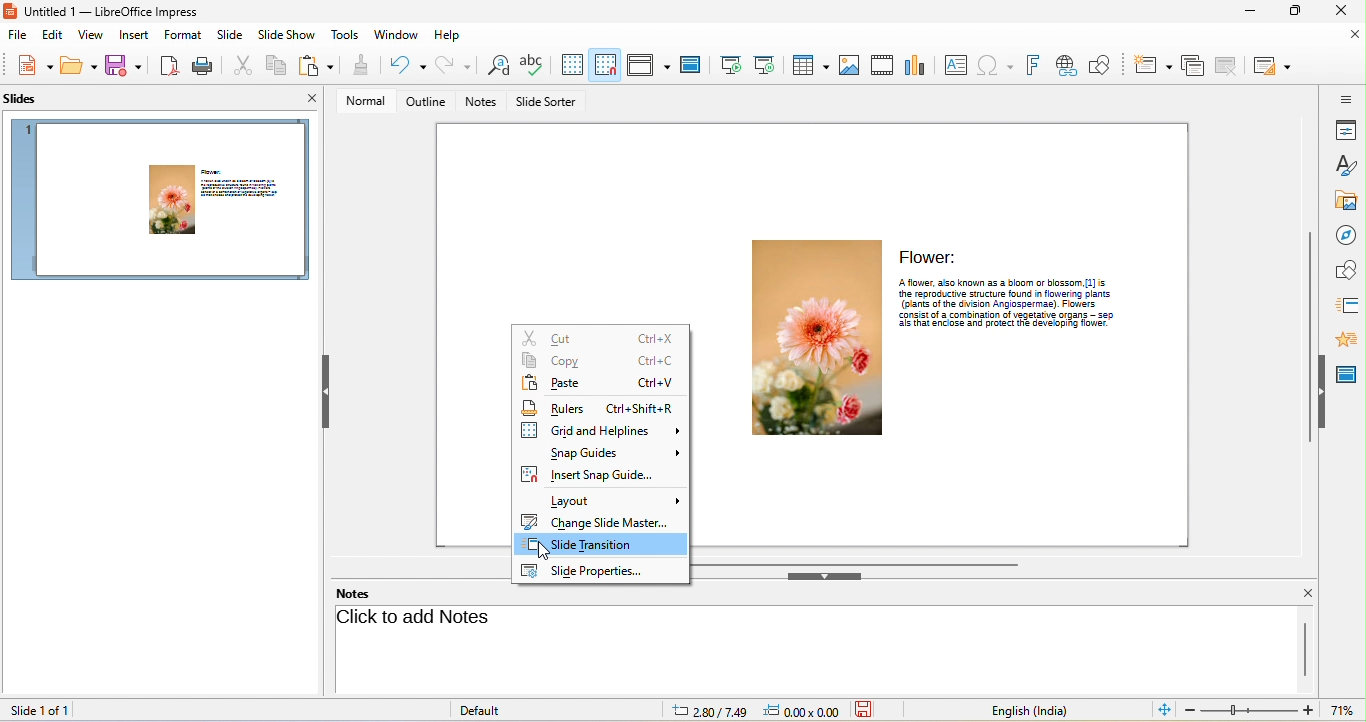 This screenshot has width=1366, height=722. Describe the element at coordinates (801, 710) in the screenshot. I see `0.00x0.00` at that location.